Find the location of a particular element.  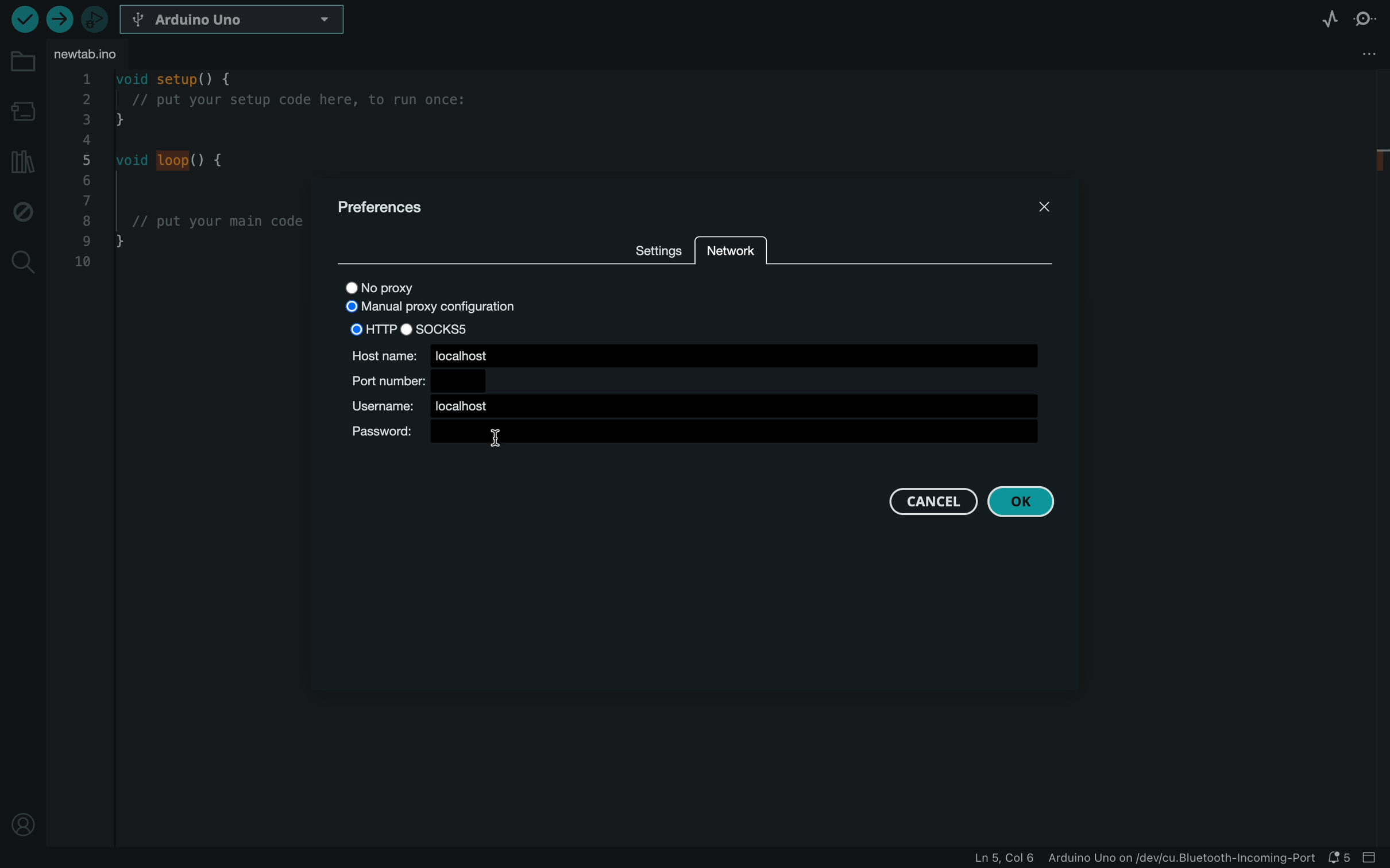

host name is located at coordinates (693, 354).